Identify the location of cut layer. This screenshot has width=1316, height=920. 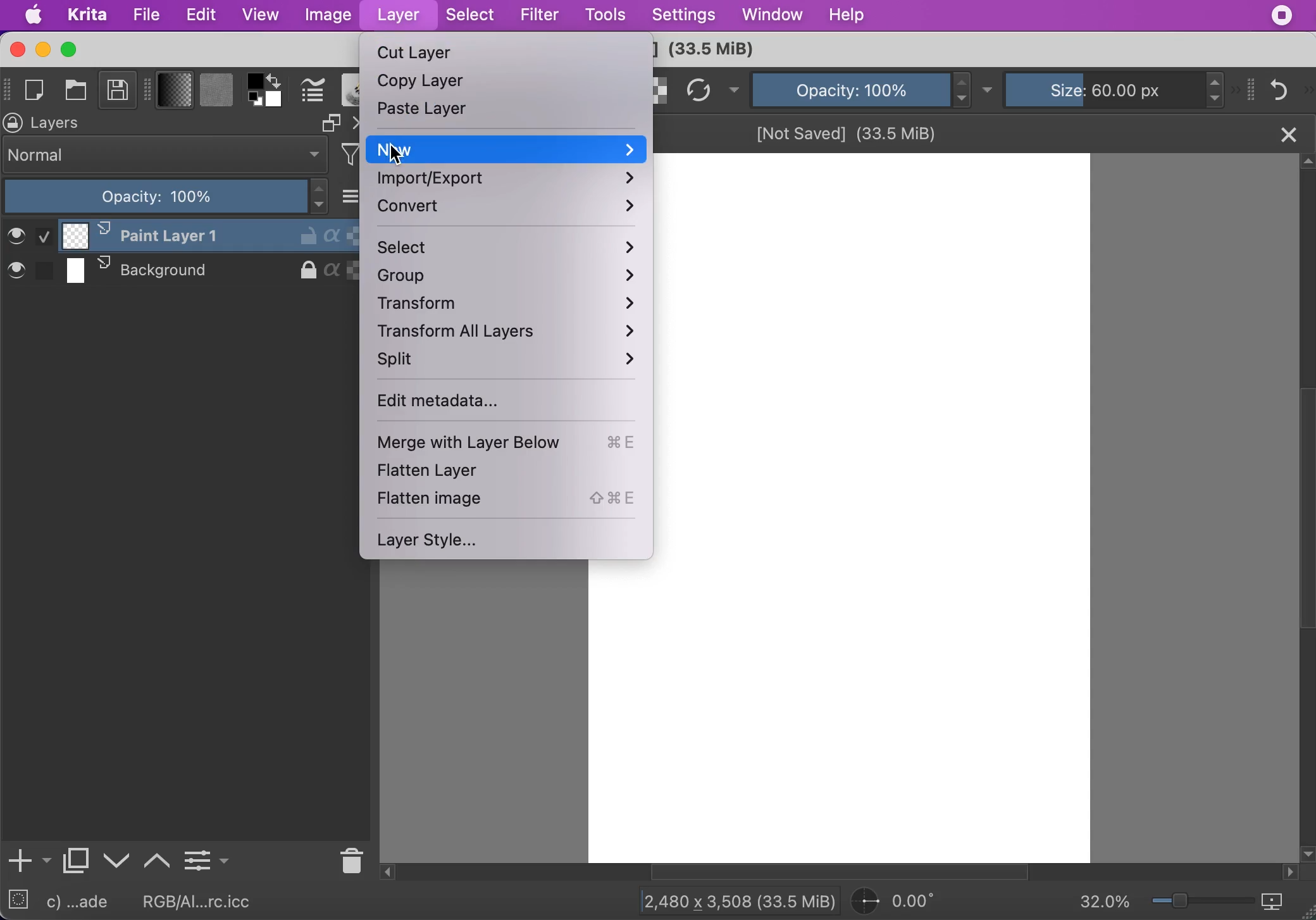
(417, 54).